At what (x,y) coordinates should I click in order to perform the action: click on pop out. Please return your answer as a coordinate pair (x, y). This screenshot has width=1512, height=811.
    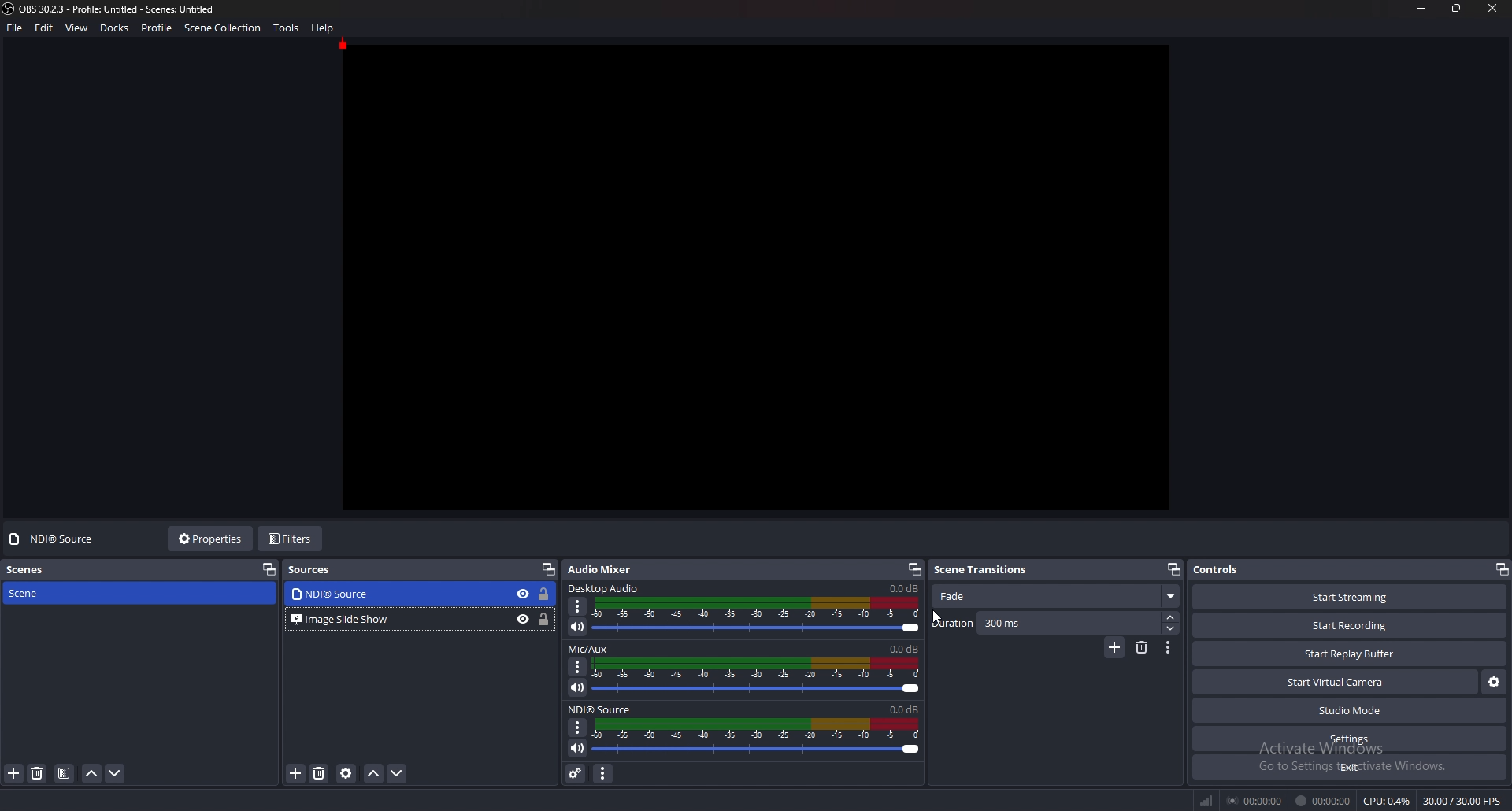
    Looking at the image, I should click on (268, 570).